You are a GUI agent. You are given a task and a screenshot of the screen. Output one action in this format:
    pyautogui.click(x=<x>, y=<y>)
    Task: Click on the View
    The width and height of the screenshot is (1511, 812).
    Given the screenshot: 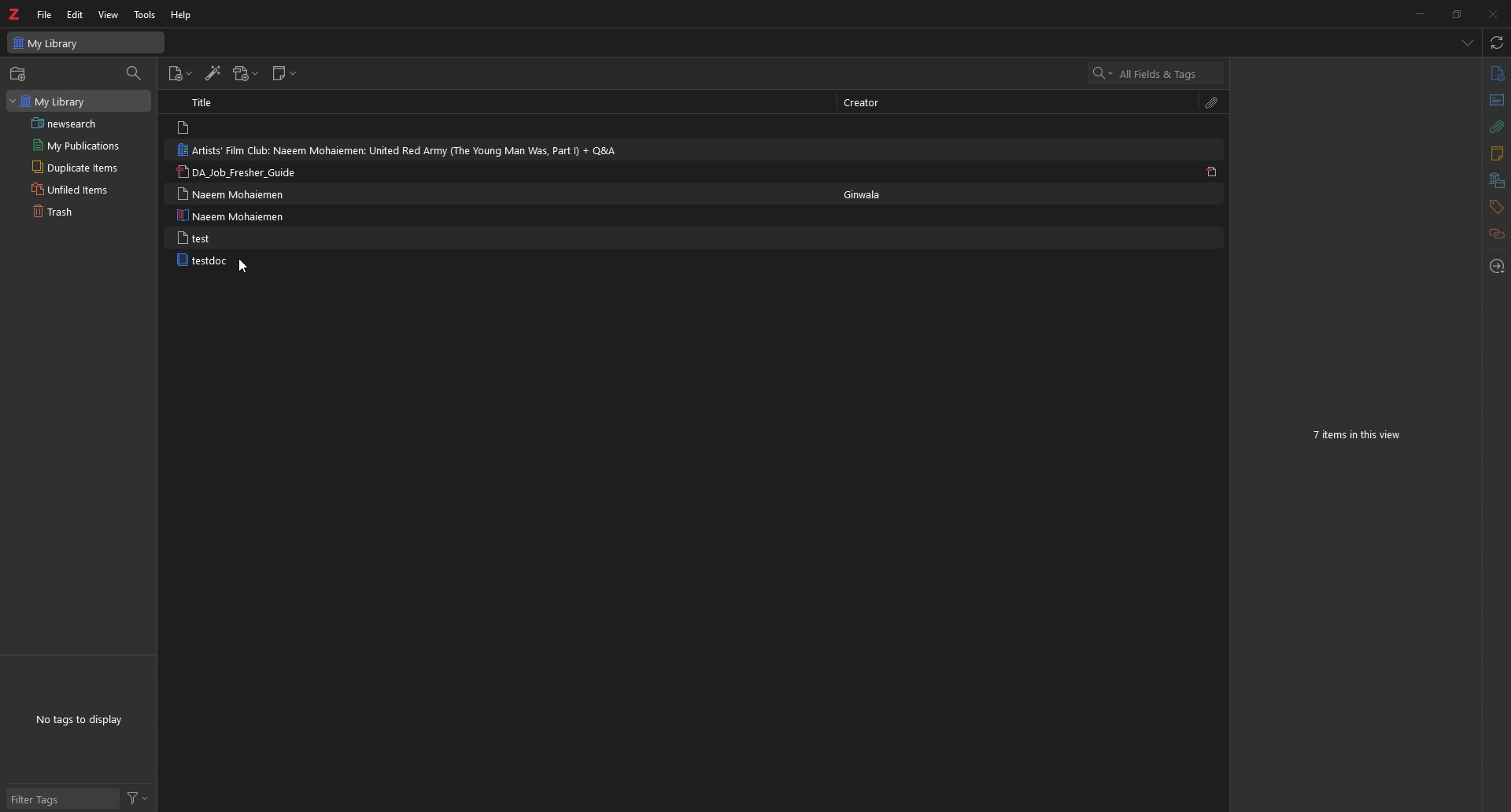 What is the action you would take?
    pyautogui.click(x=108, y=16)
    